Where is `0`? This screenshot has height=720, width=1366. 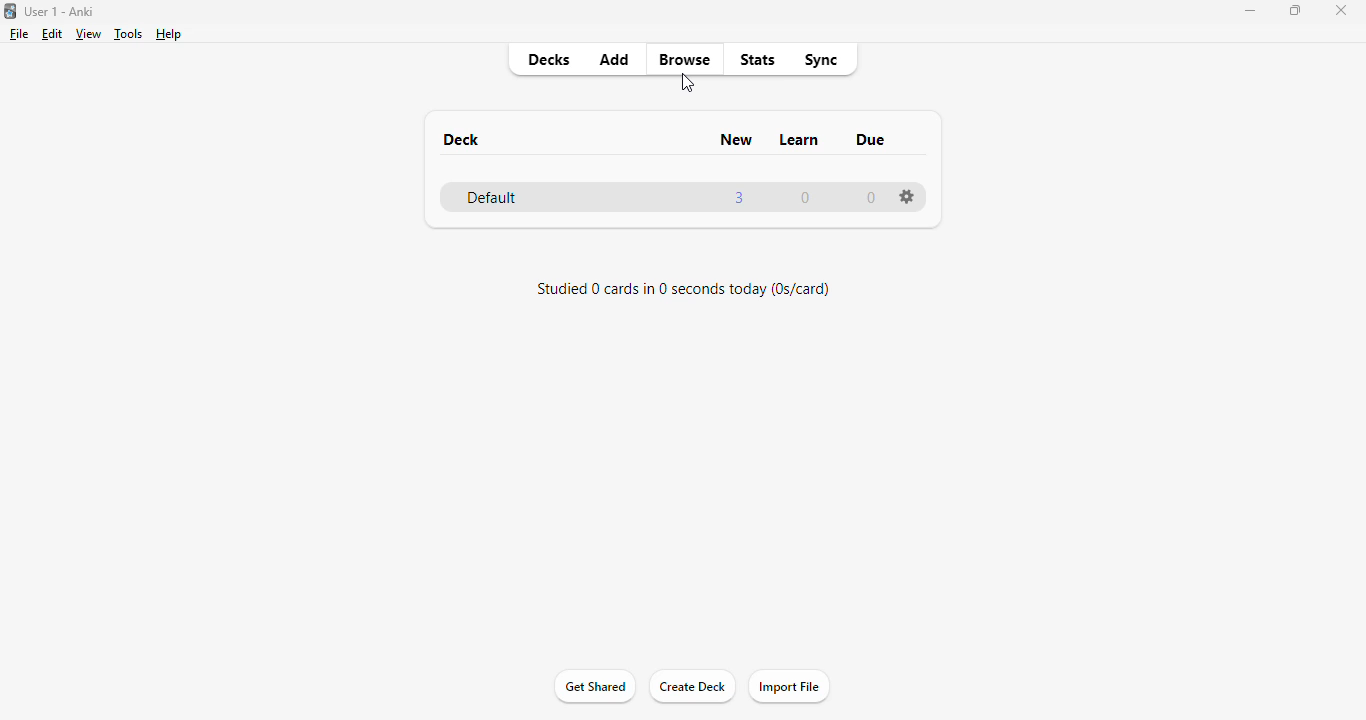 0 is located at coordinates (872, 199).